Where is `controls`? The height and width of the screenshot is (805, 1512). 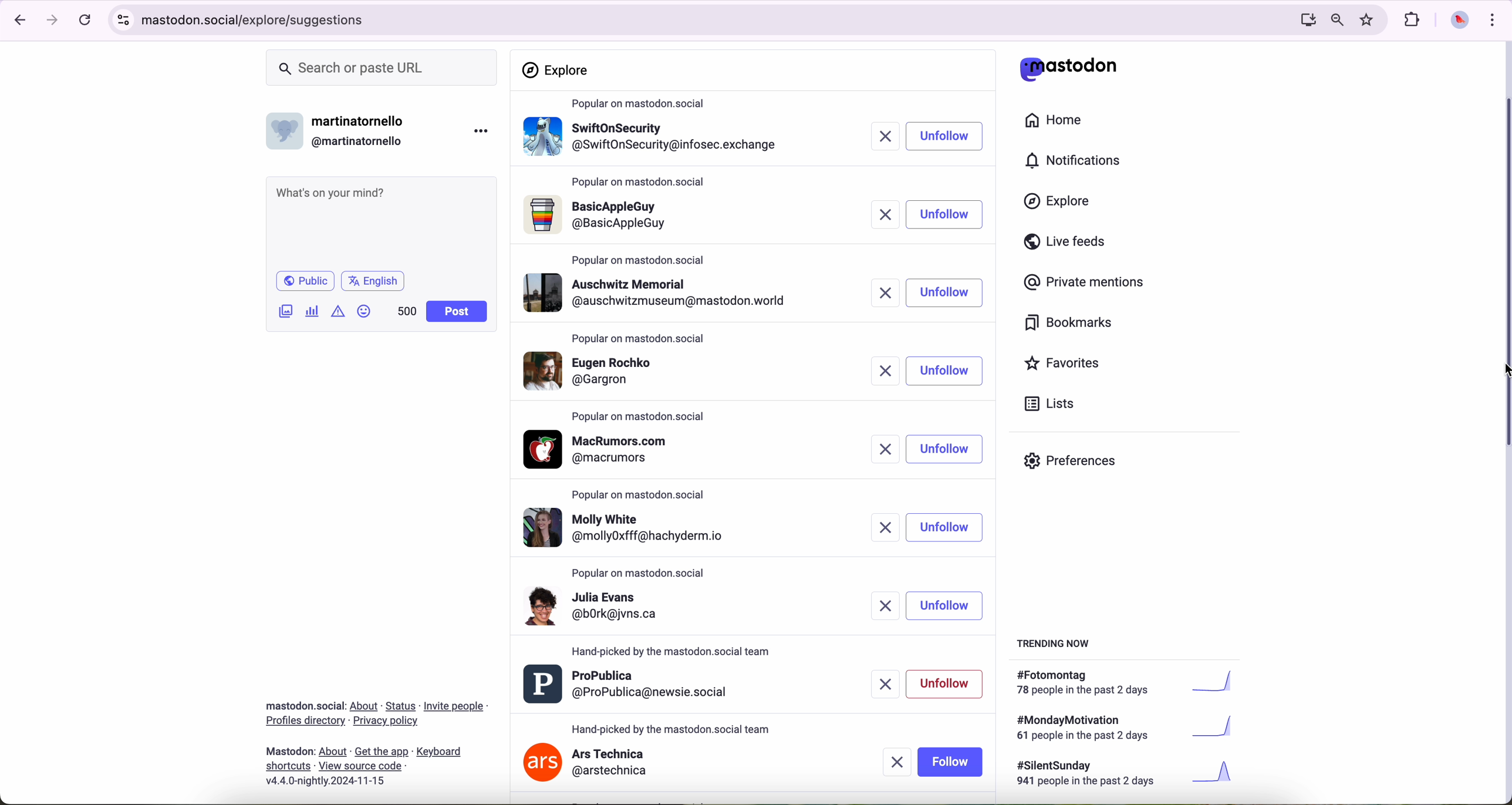
controls is located at coordinates (124, 20).